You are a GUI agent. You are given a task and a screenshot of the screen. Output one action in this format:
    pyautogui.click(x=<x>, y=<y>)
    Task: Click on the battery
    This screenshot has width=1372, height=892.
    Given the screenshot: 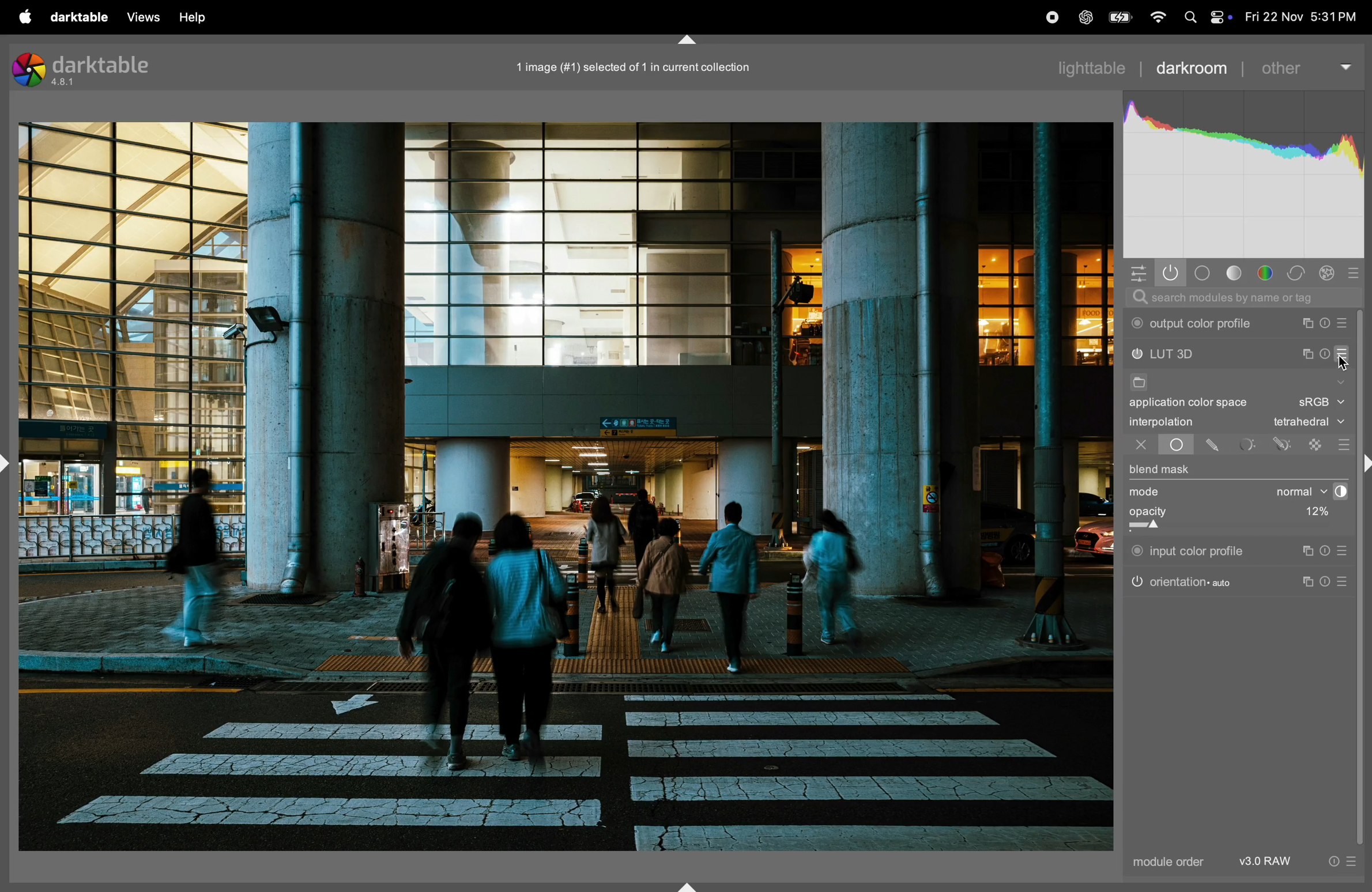 What is the action you would take?
    pyautogui.click(x=1118, y=17)
    